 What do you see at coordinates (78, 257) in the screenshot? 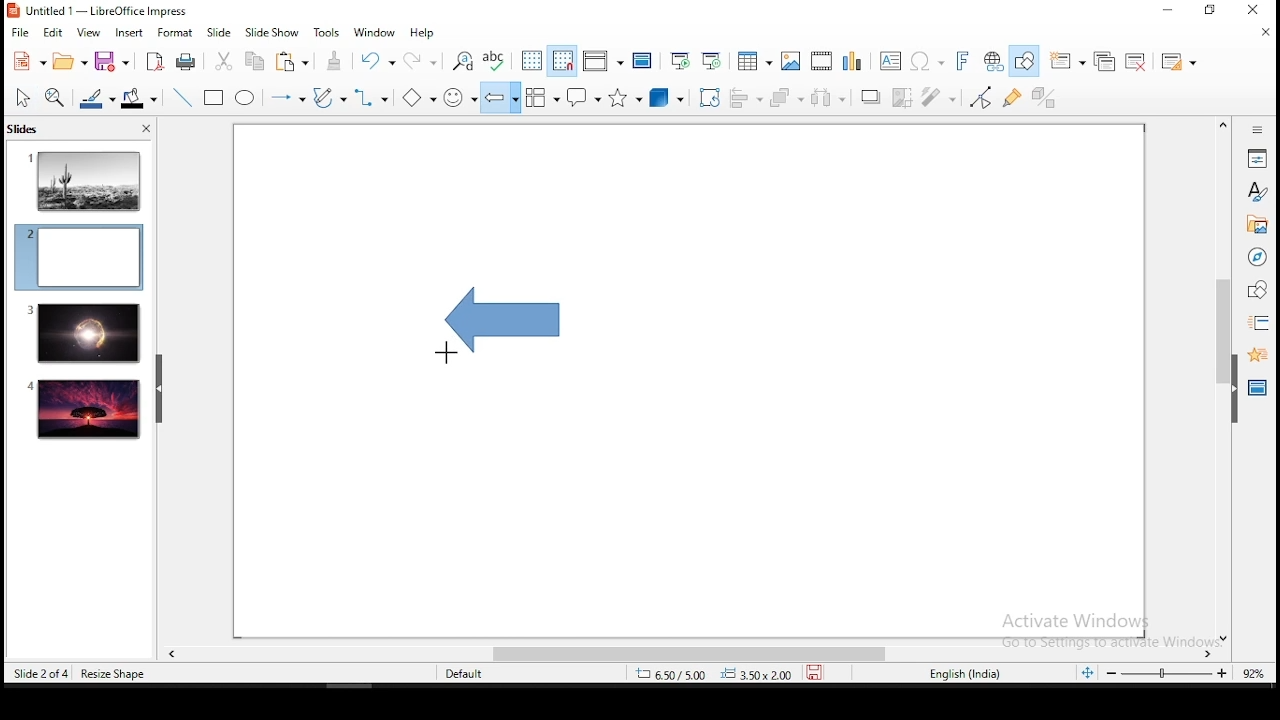
I see `slide 2` at bounding box center [78, 257].